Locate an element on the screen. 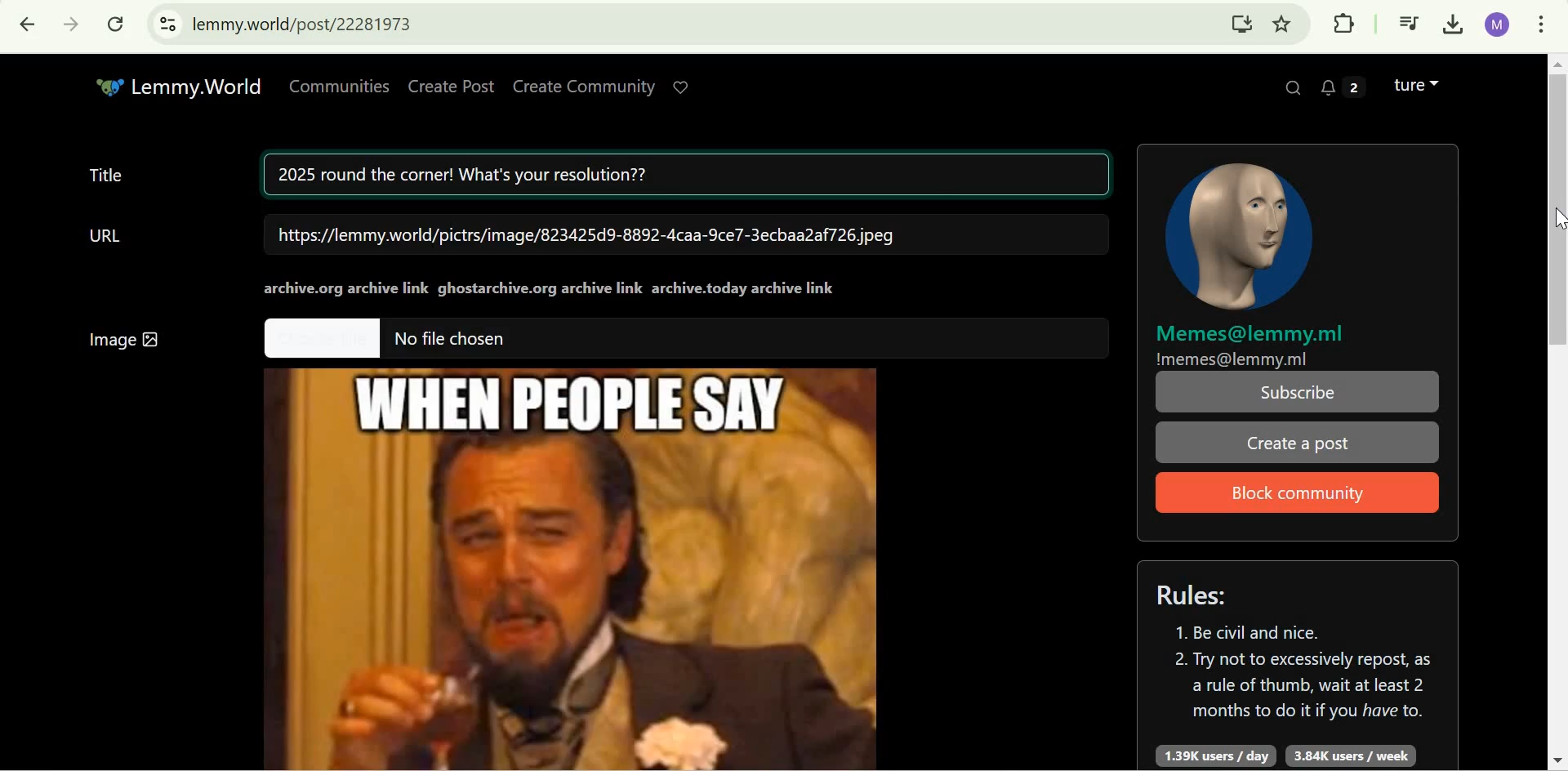 The height and width of the screenshot is (771, 1568). Scrollbar is located at coordinates (1552, 409).